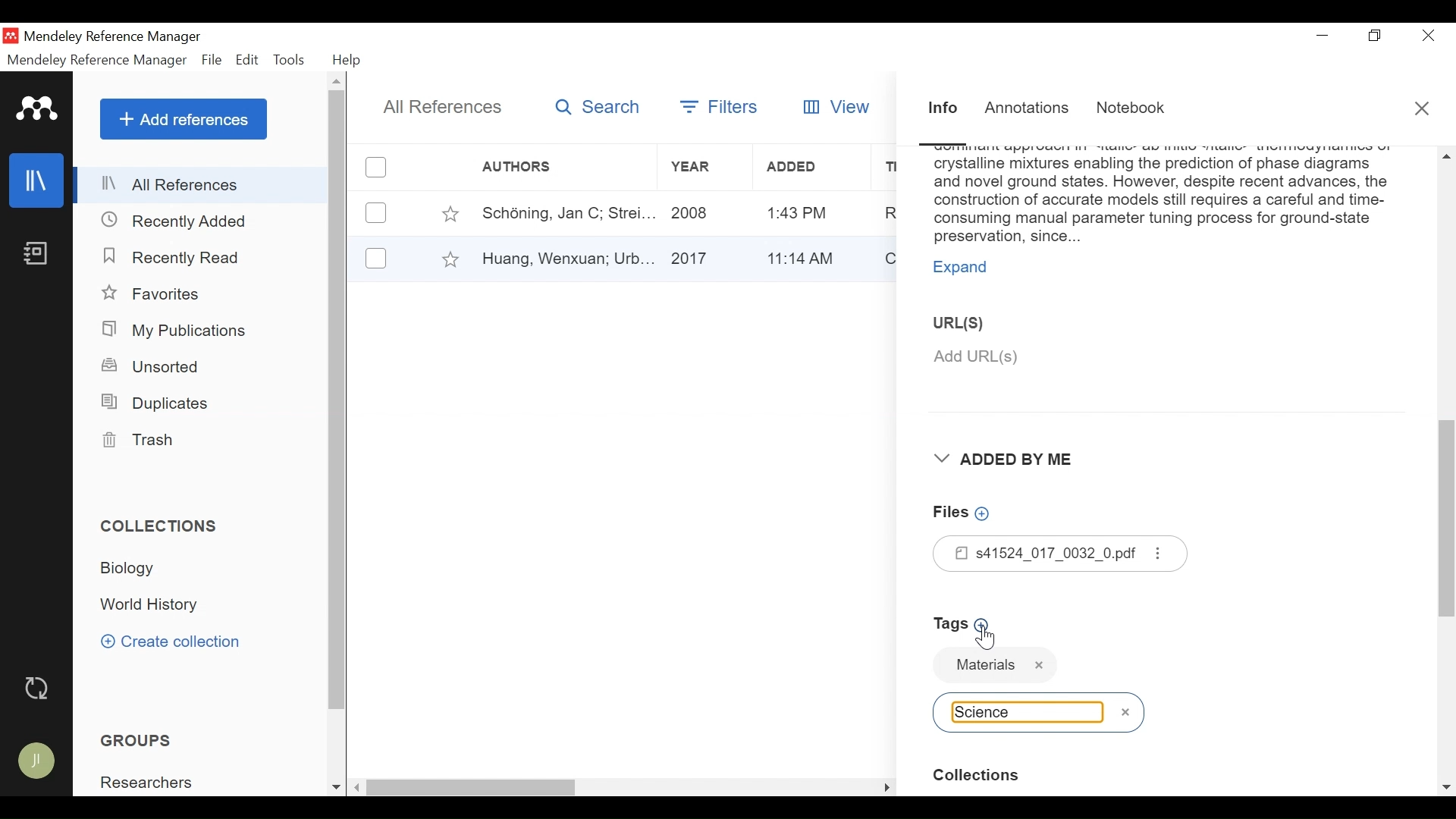  Describe the element at coordinates (562, 212) in the screenshot. I see `Author` at that location.